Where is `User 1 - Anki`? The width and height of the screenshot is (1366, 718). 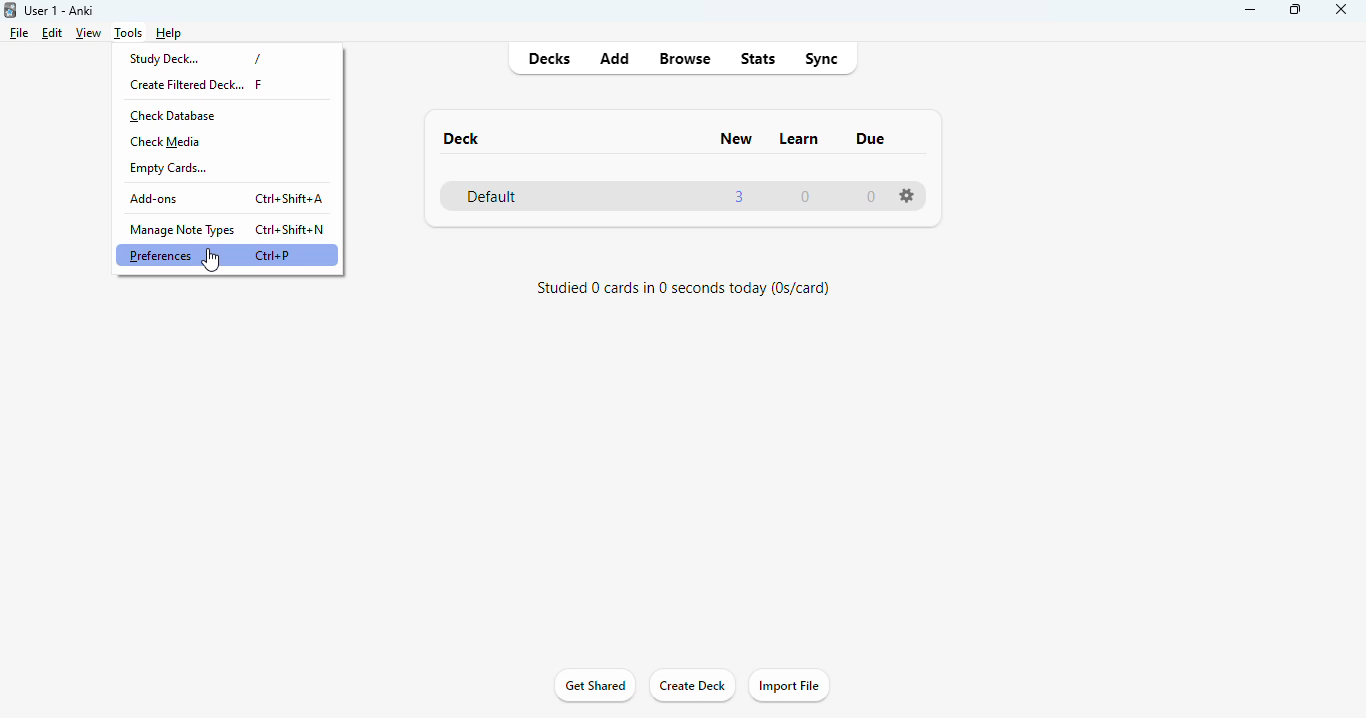
User 1 - Anki is located at coordinates (61, 10).